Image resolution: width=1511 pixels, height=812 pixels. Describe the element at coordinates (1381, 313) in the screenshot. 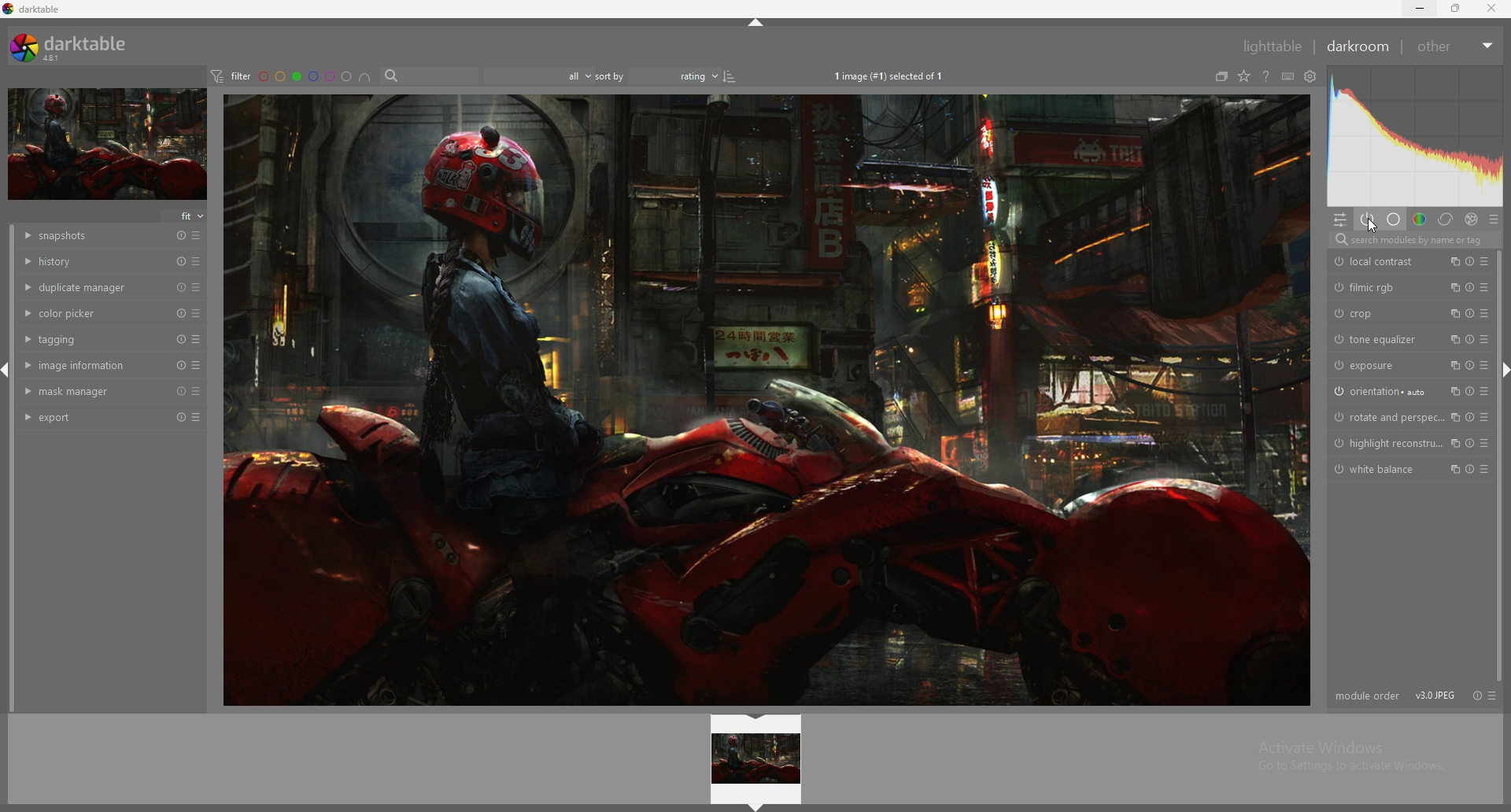

I see `crop` at that location.